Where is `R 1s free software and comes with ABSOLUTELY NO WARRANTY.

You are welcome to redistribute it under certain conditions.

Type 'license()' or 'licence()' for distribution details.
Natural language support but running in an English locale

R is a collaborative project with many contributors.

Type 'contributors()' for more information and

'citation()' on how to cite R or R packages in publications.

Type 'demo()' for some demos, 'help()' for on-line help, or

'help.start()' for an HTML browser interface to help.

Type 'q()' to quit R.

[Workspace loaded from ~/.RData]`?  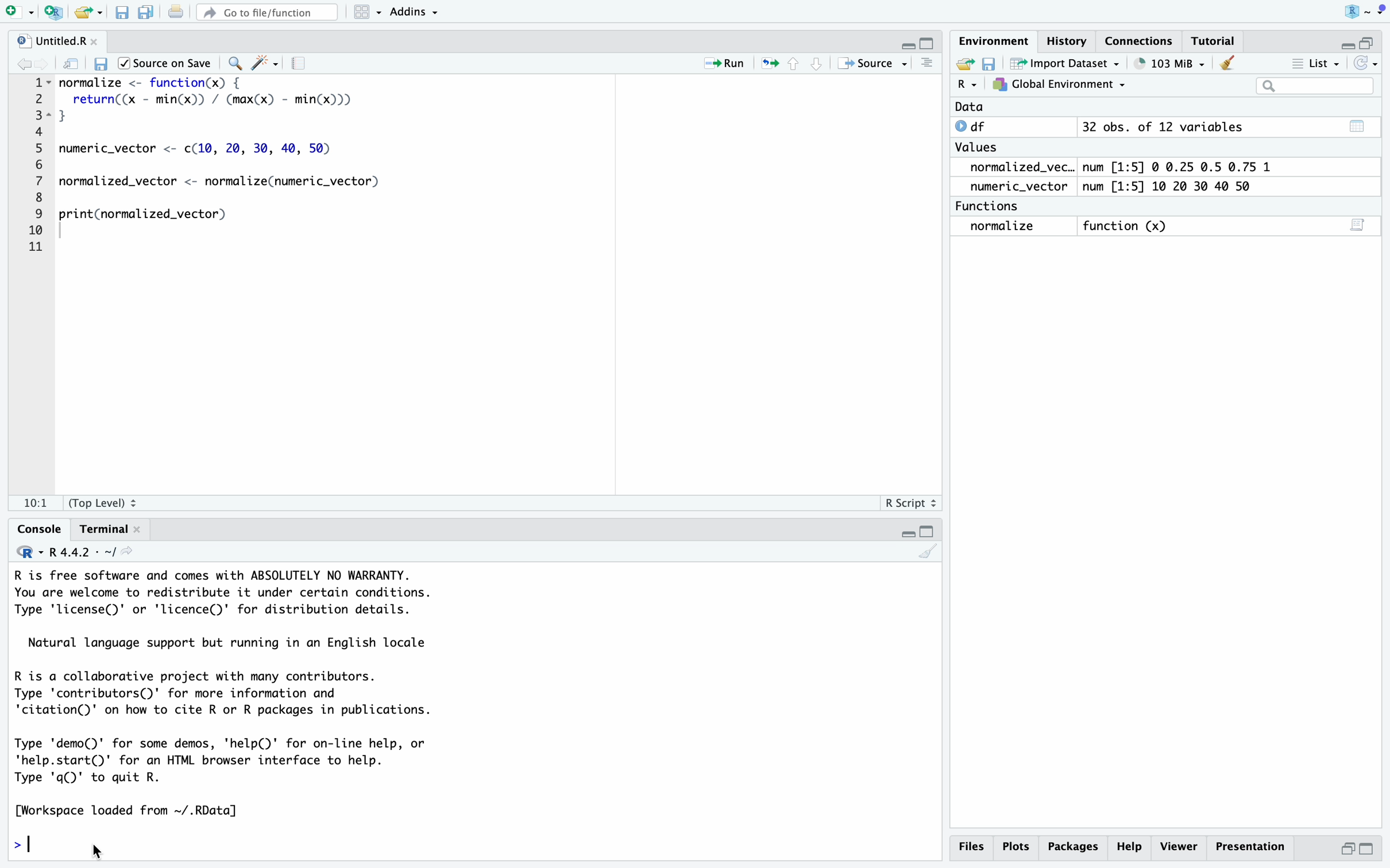 R 1s free software and comes with ABSOLUTELY NO WARRANTY.

You are welcome to redistribute it under certain conditions.

Type 'license()' or 'licence()' for distribution details.
Natural language support but running in an English locale

R is a collaborative project with many contributors.

Type 'contributors()' for more information and

'citation()' on how to cite R or R packages in publications.

Type 'demo()' for some demos, 'help()' for on-line help, or

'help.start()' for an HTML browser interface to help.

Type 'q()' to quit R.

[Workspace loaded from ~/.RData] is located at coordinates (267, 695).